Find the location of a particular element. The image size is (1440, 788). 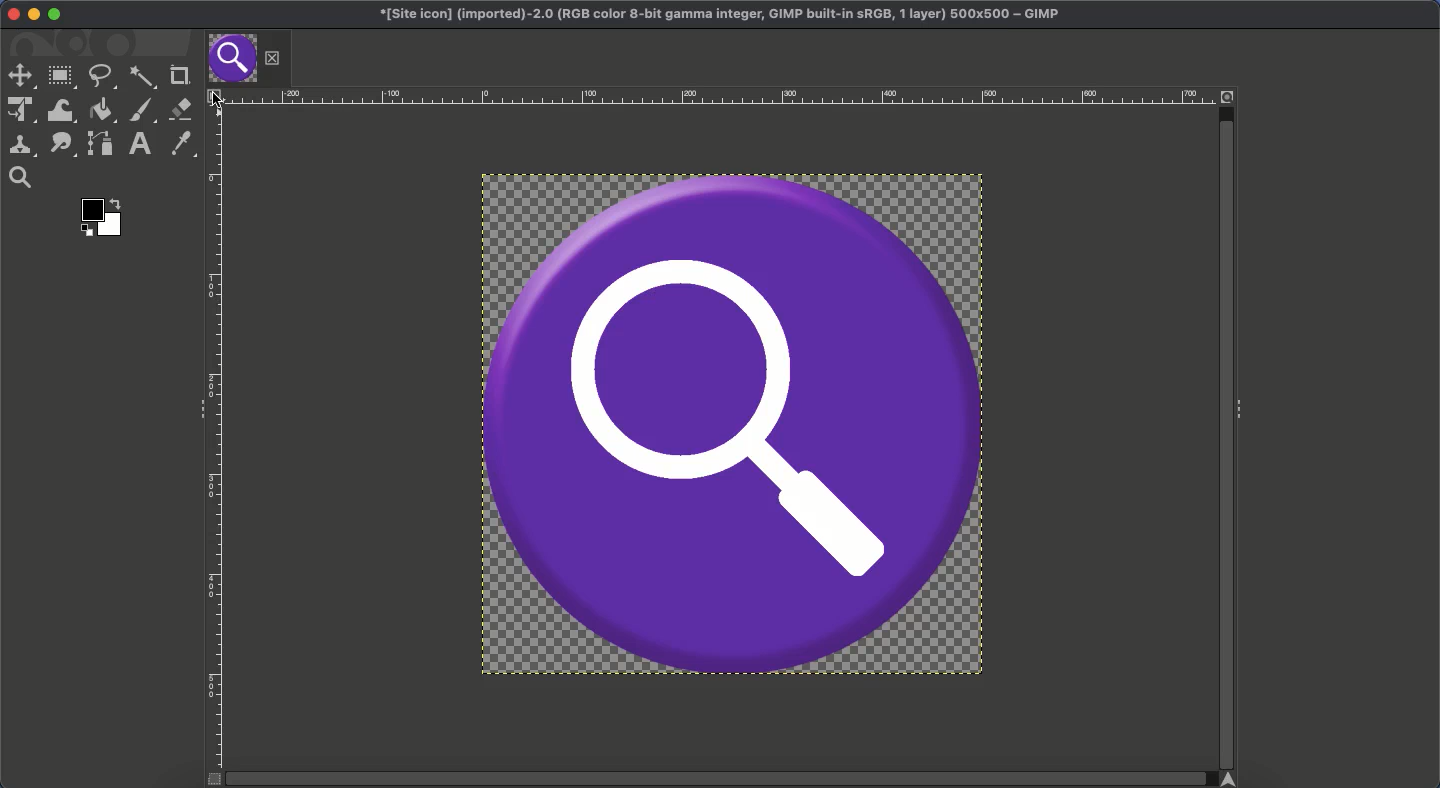

Path is located at coordinates (100, 143).